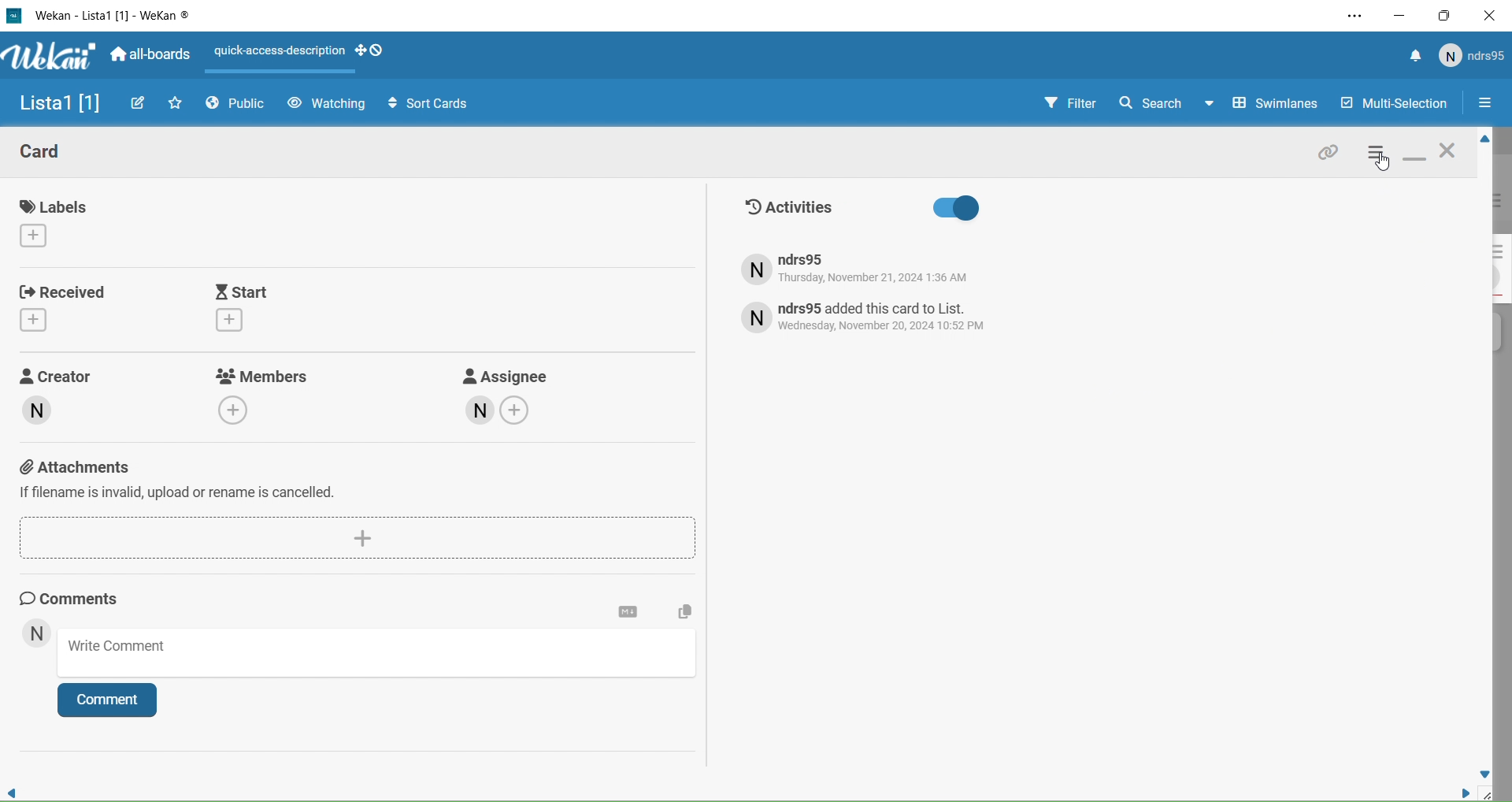  I want to click on activity, so click(868, 322).